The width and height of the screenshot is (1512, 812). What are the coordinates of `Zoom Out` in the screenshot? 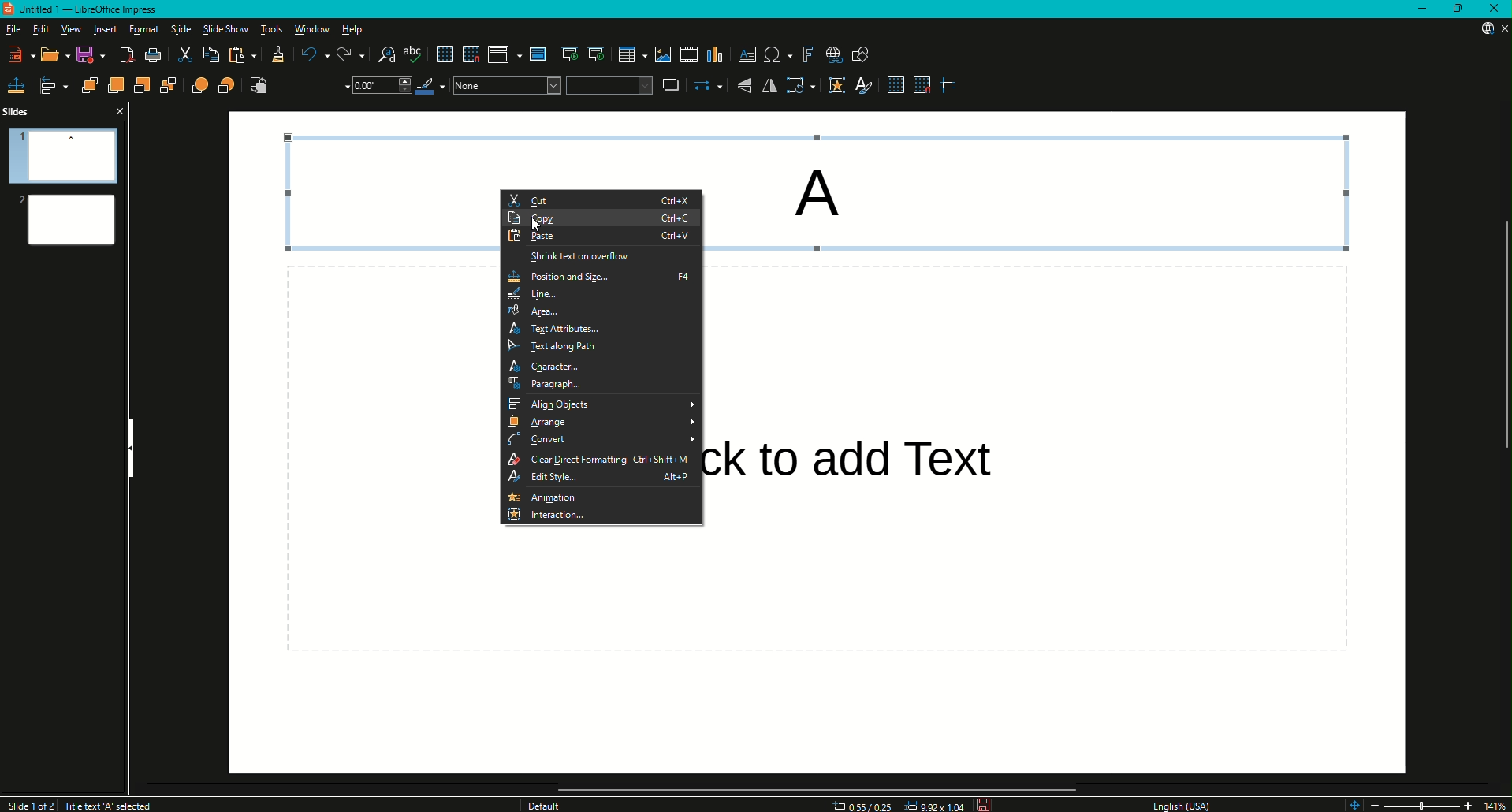 It's located at (1381, 803).